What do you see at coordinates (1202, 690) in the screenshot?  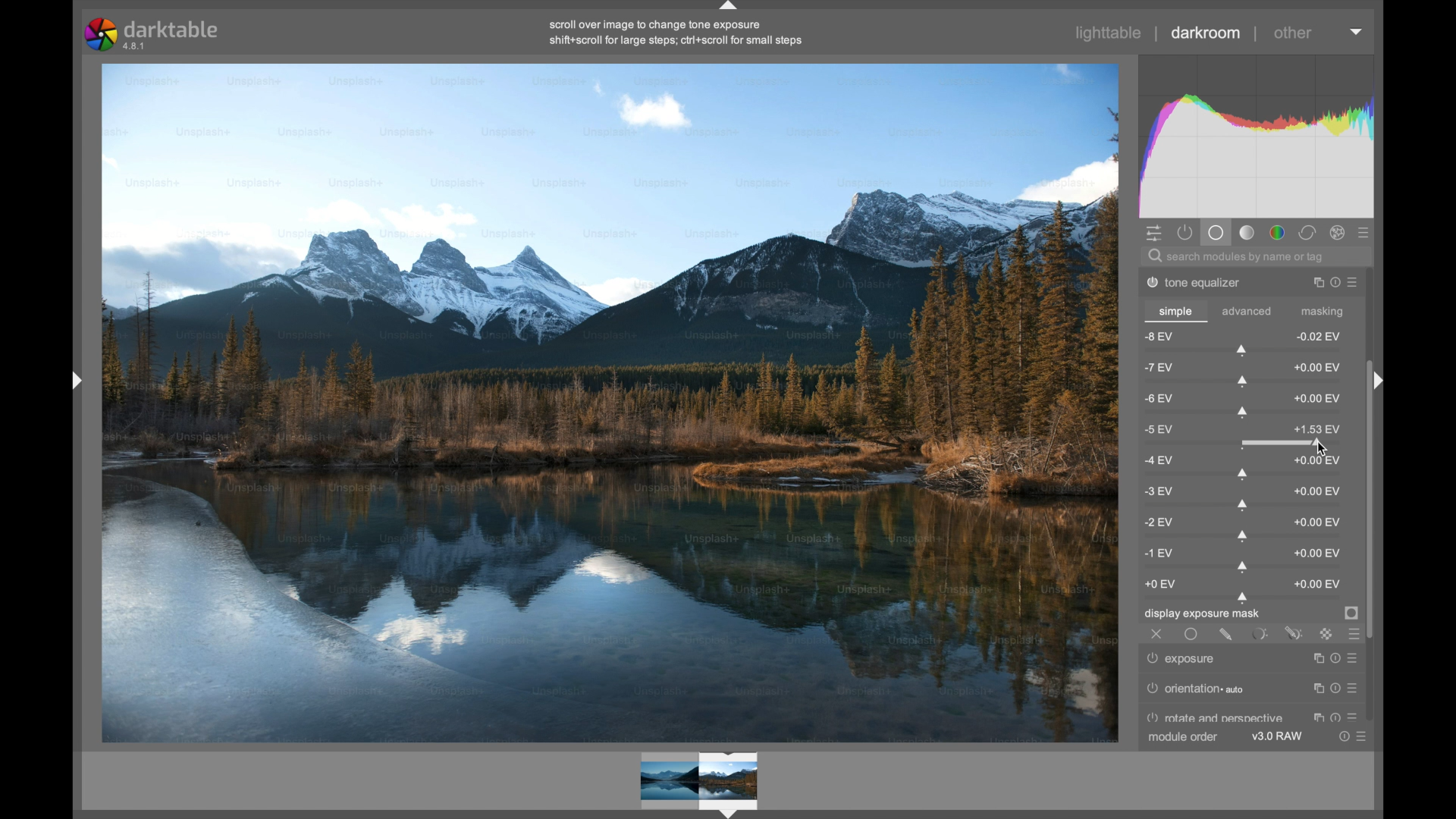 I see `orientation auto` at bounding box center [1202, 690].